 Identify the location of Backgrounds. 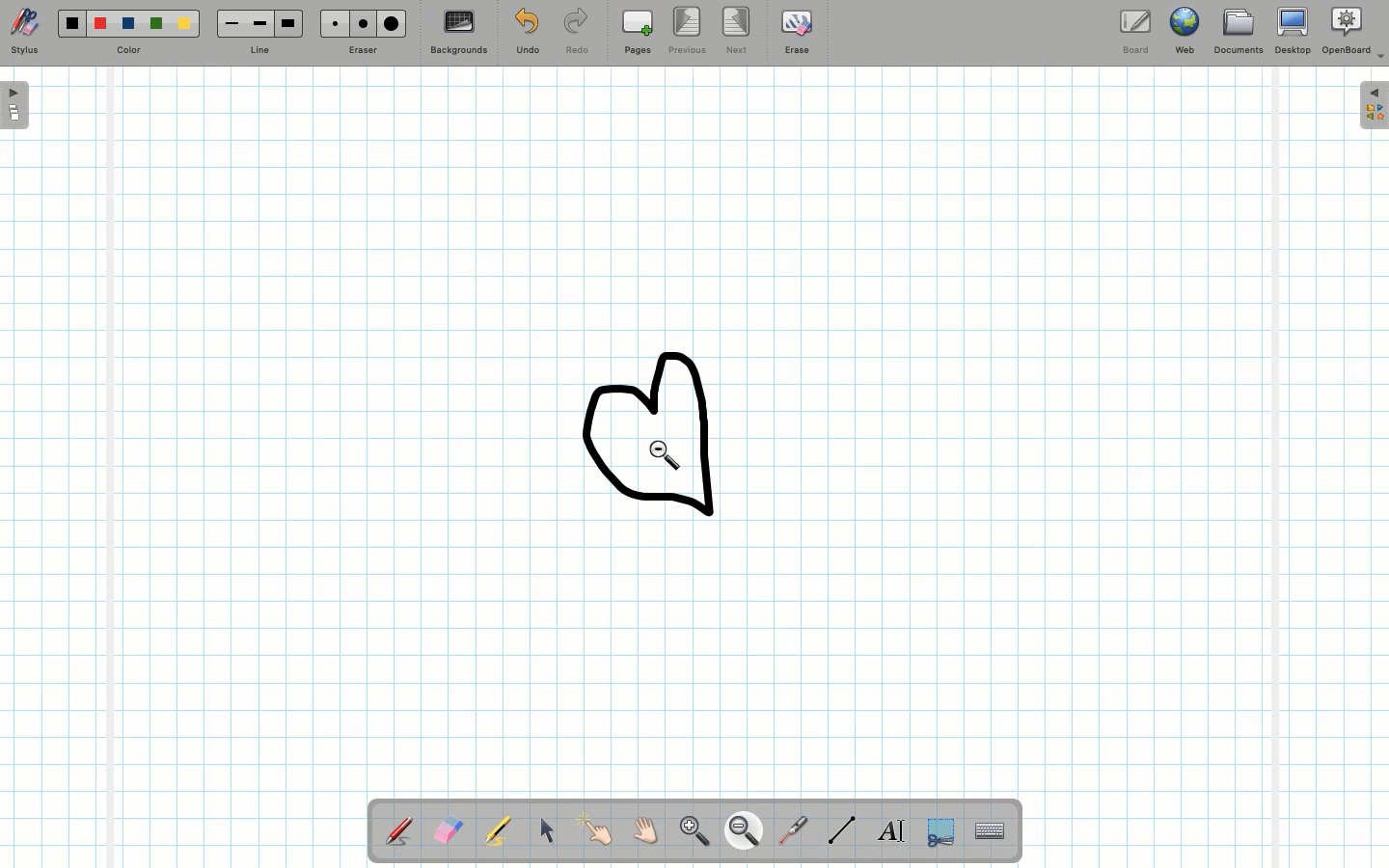
(459, 32).